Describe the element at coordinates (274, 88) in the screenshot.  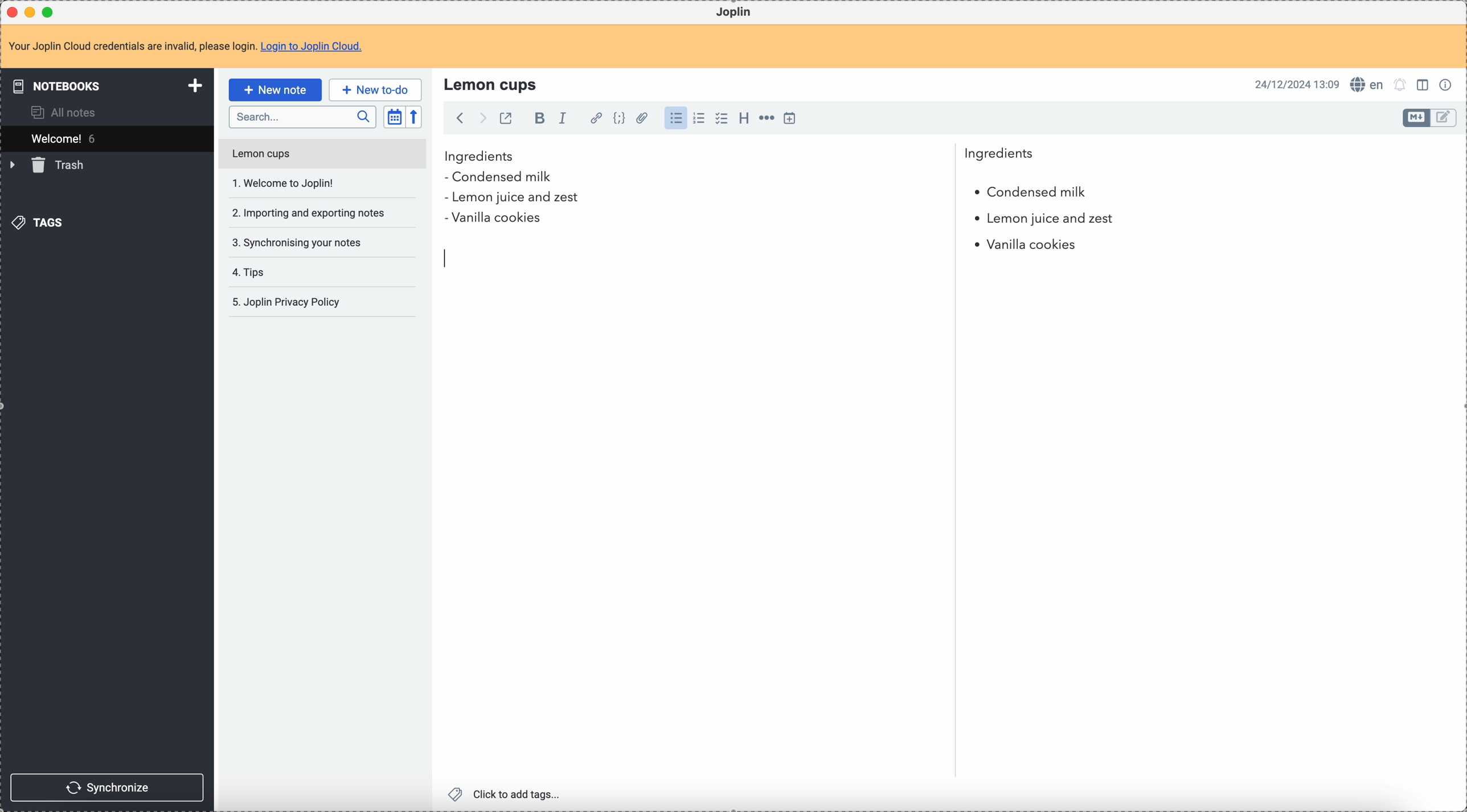
I see `click on new note` at that location.